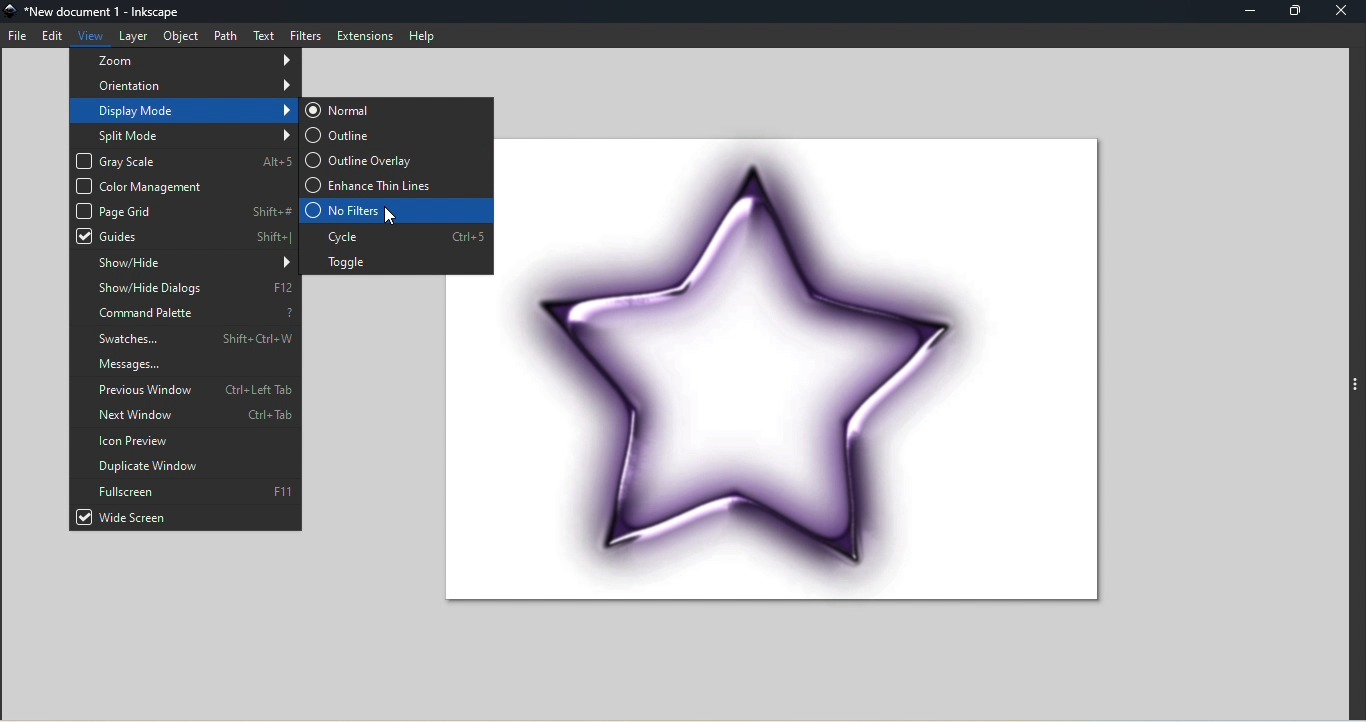 This screenshot has width=1366, height=722. Describe the element at coordinates (186, 313) in the screenshot. I see `Command palette` at that location.